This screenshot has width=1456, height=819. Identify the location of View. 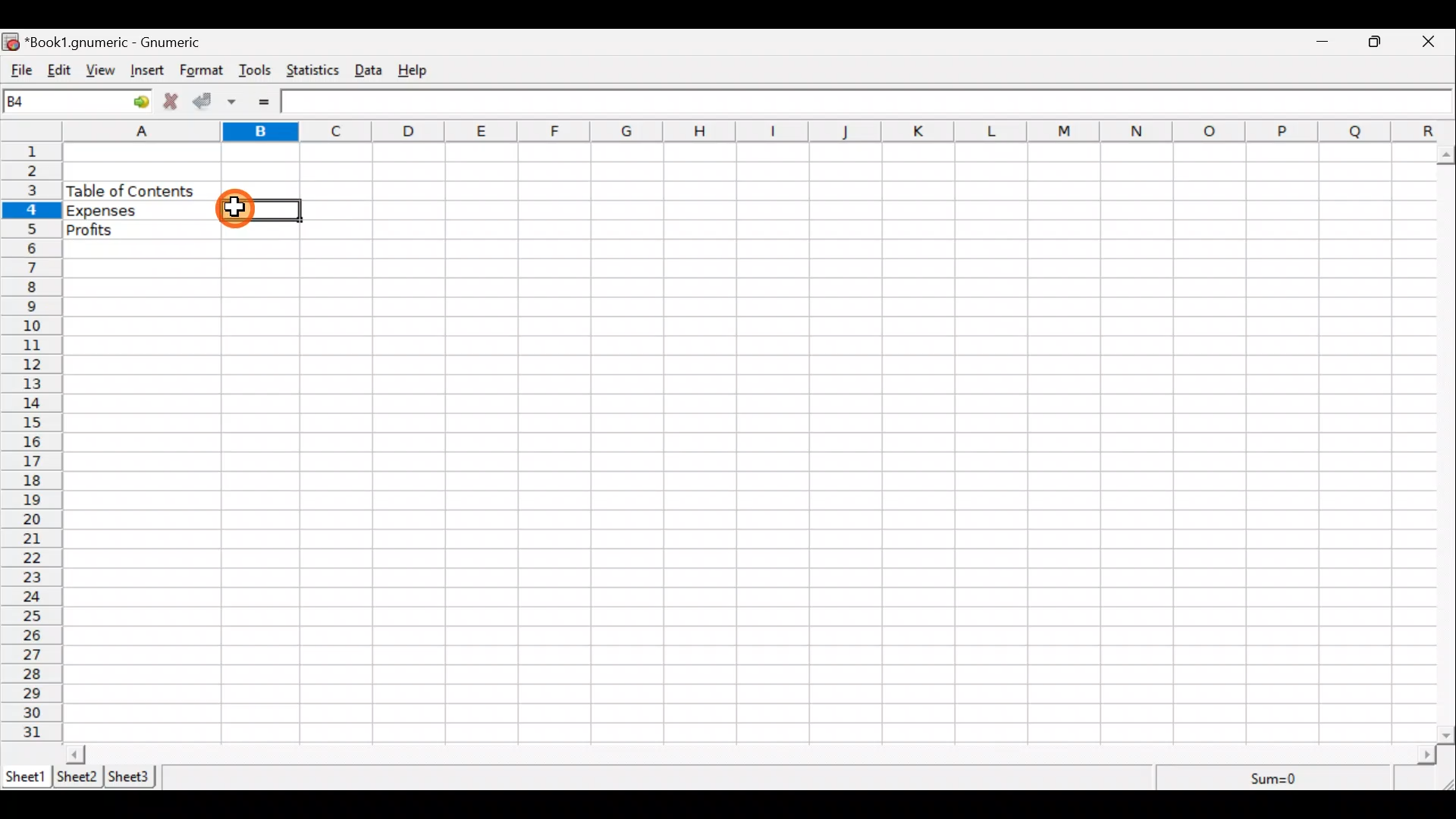
(101, 71).